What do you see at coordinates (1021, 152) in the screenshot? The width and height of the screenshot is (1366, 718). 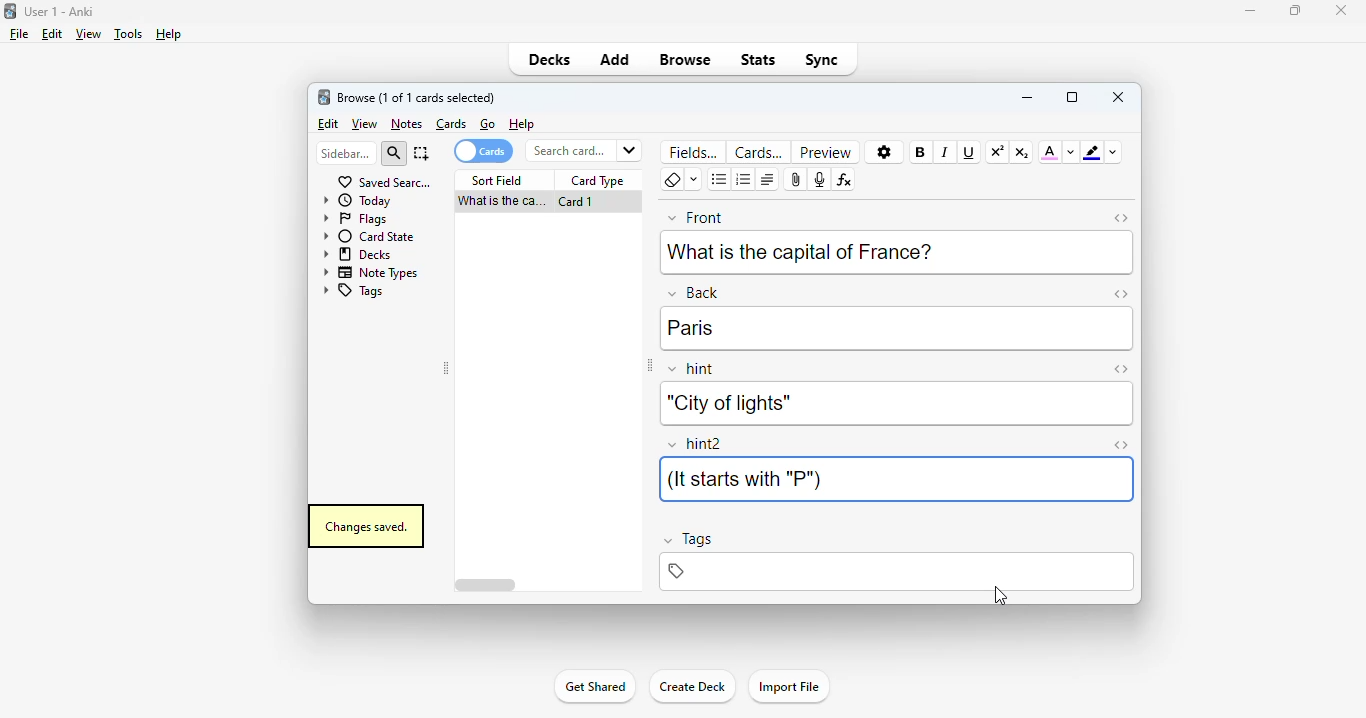 I see `subscript` at bounding box center [1021, 152].